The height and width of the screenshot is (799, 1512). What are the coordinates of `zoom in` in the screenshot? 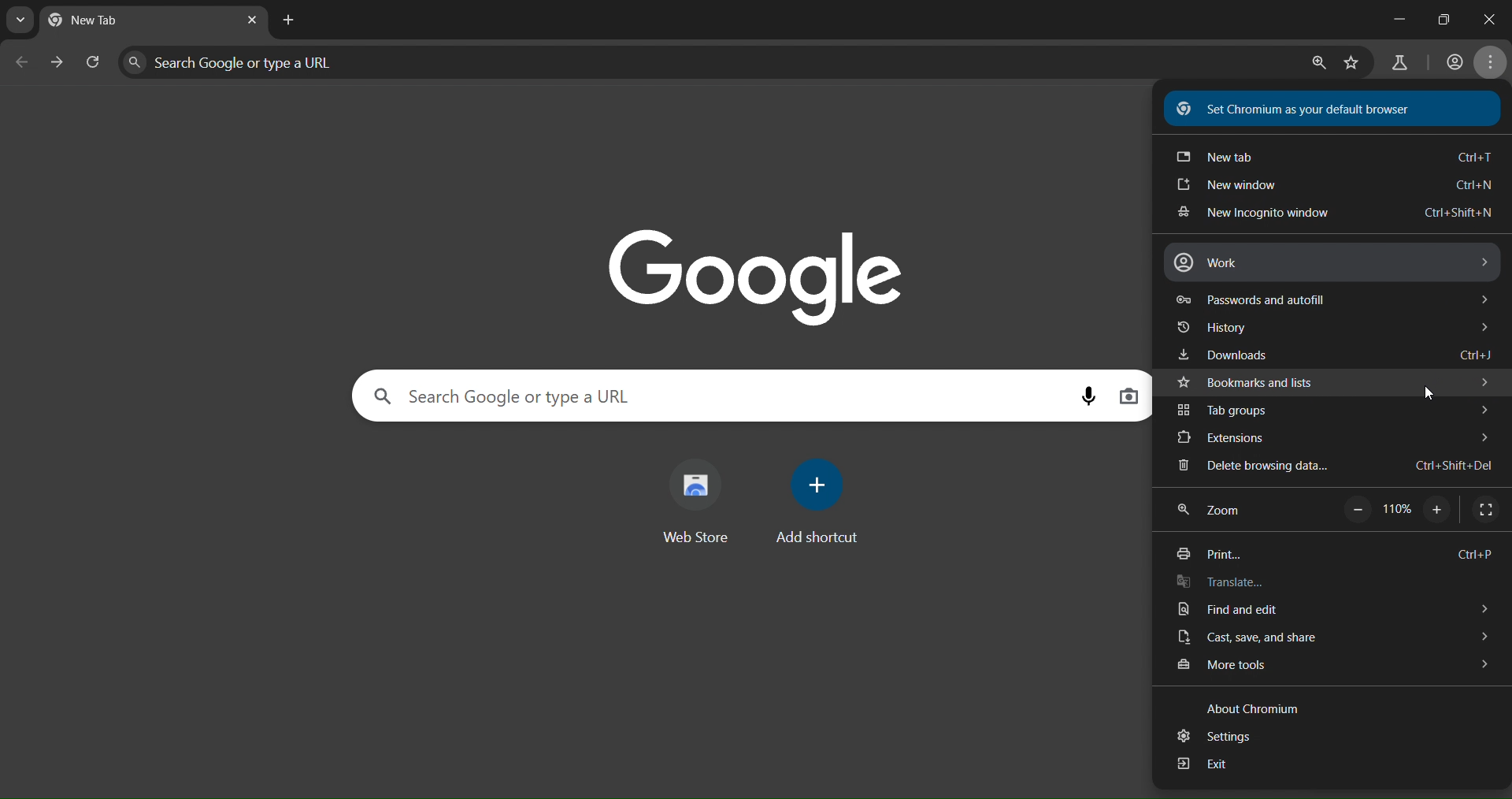 It's located at (1439, 508).